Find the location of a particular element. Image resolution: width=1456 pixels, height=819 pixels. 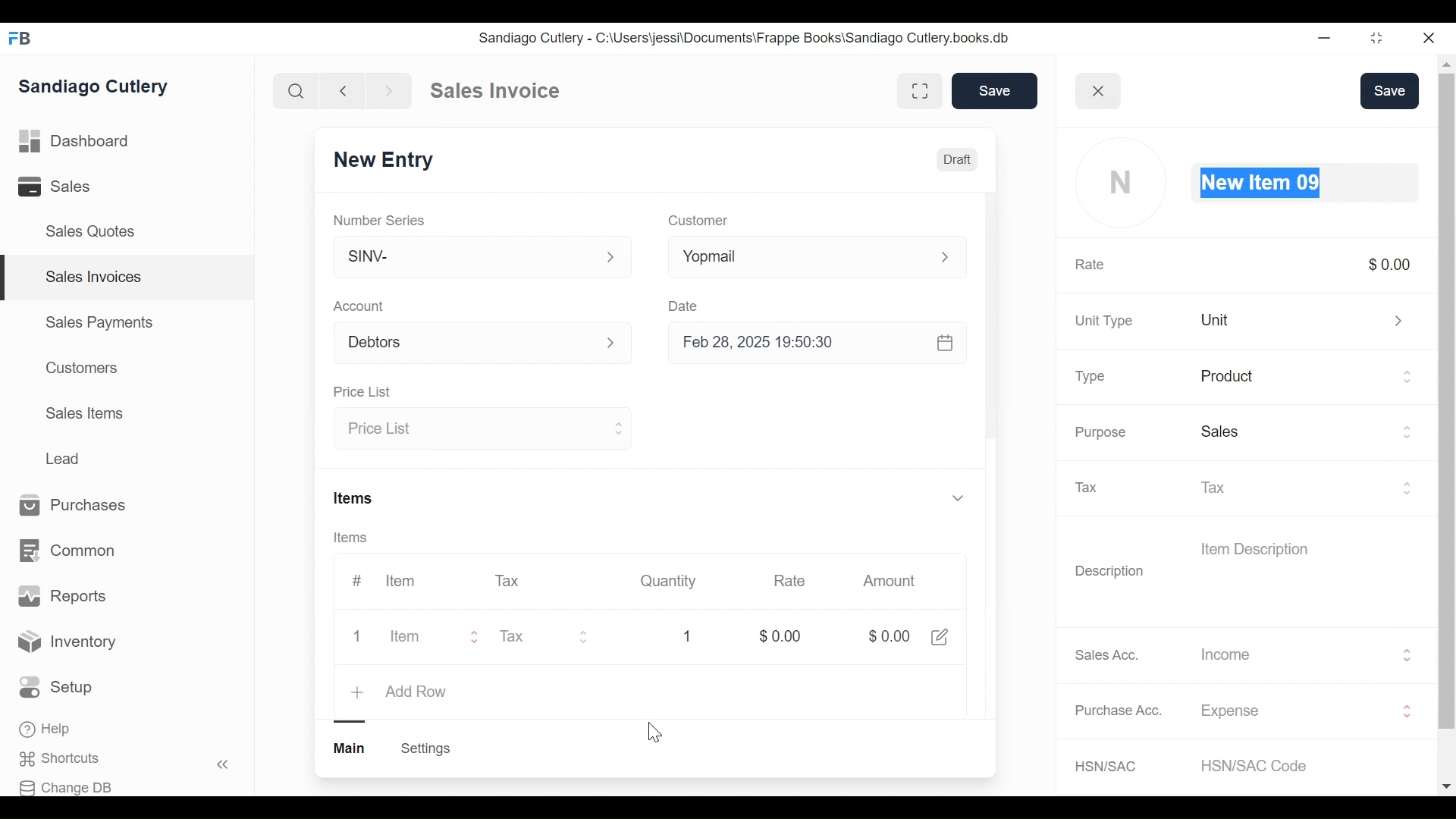

search is located at coordinates (297, 92).